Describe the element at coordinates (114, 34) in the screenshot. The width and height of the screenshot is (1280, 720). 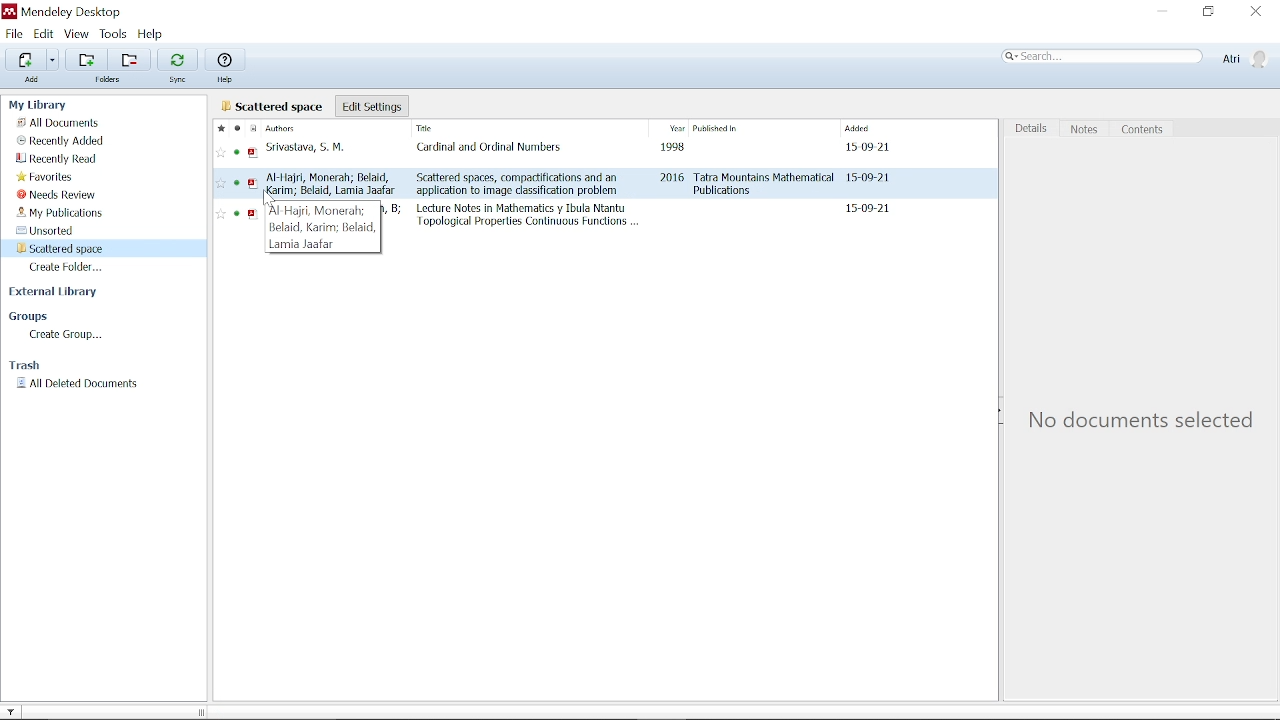
I see `Tools` at that location.